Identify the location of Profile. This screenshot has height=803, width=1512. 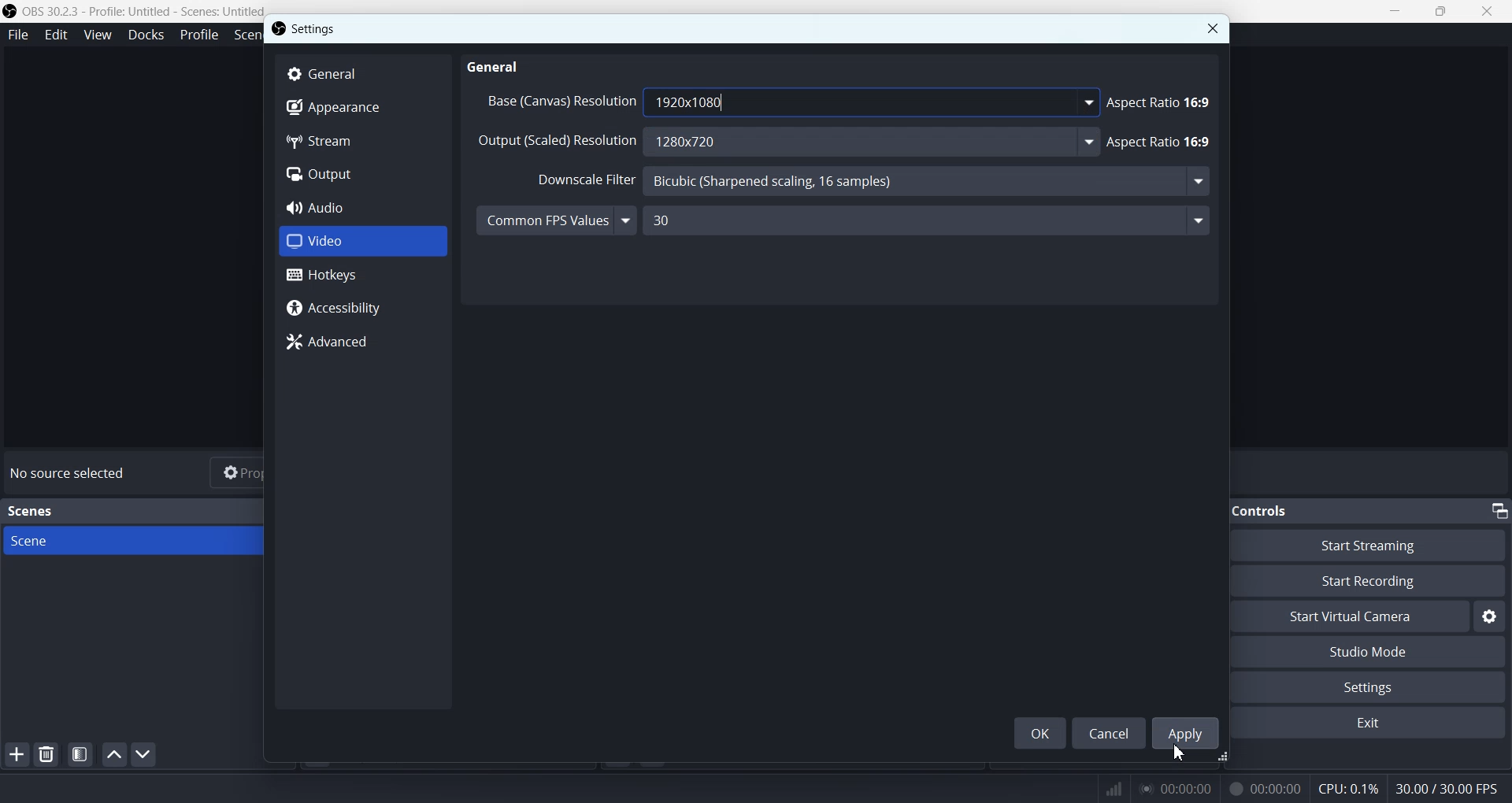
(199, 35).